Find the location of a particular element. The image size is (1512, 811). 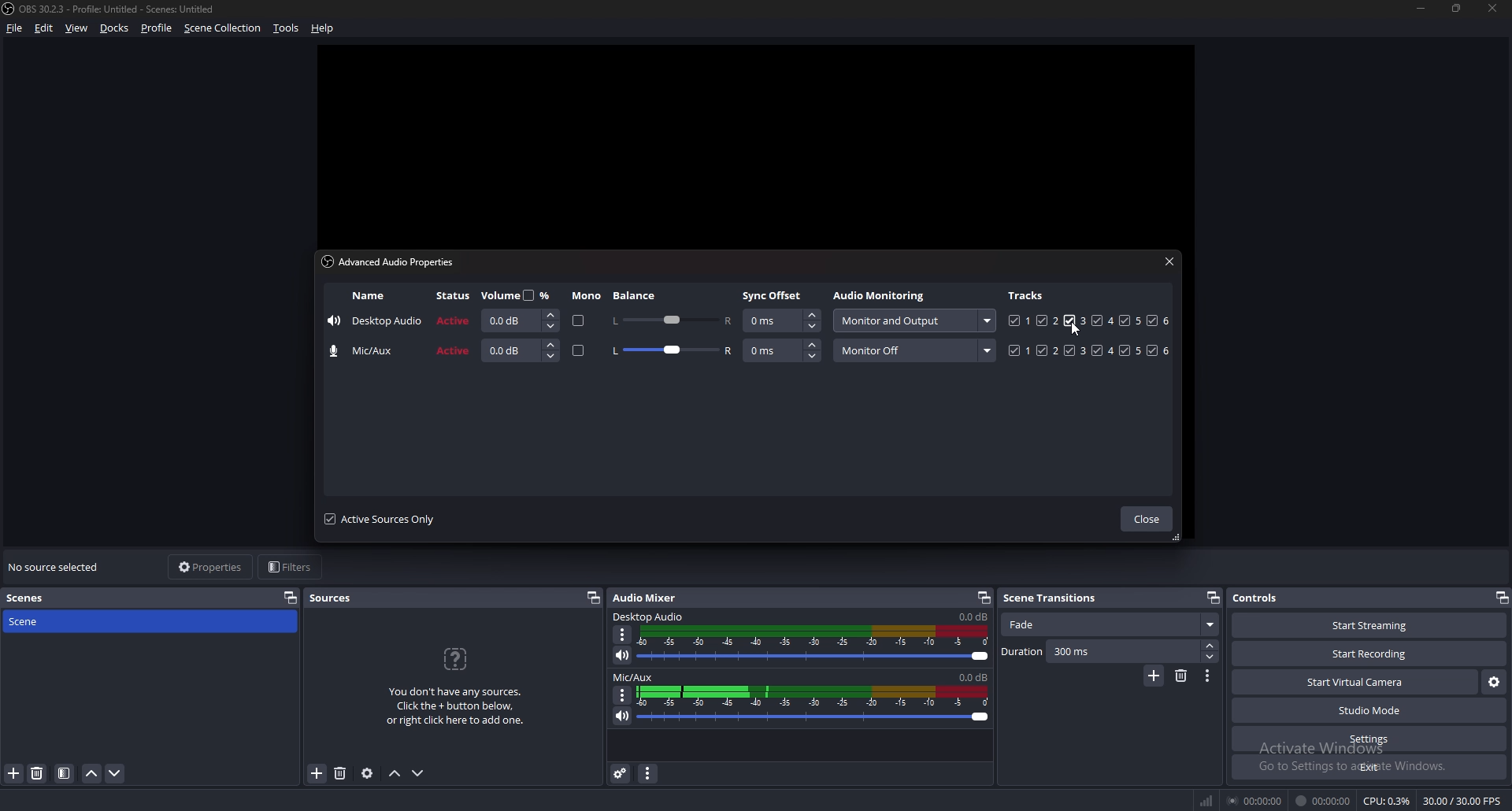

audio monitoring is located at coordinates (882, 297).